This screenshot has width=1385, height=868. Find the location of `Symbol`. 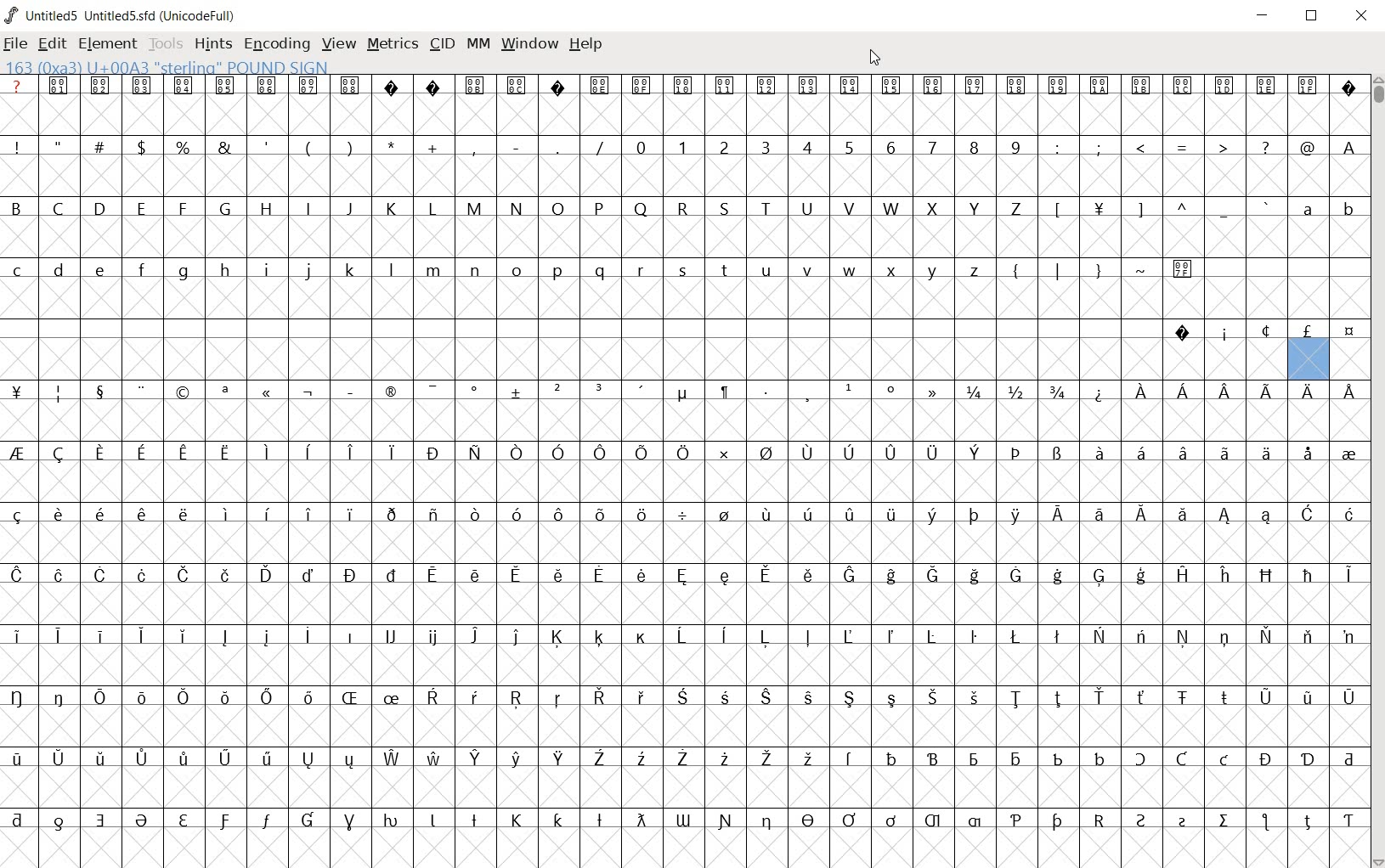

Symbol is located at coordinates (682, 759).